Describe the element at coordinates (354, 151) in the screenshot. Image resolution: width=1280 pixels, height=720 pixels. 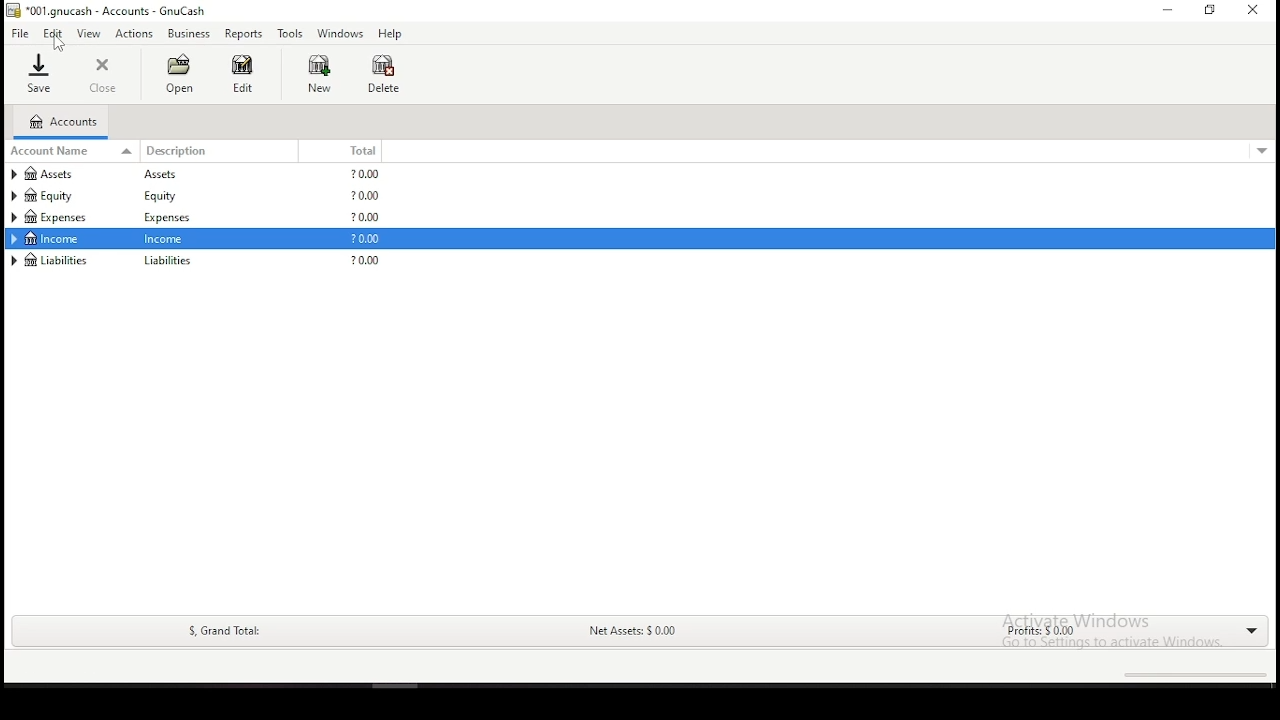
I see `total` at that location.